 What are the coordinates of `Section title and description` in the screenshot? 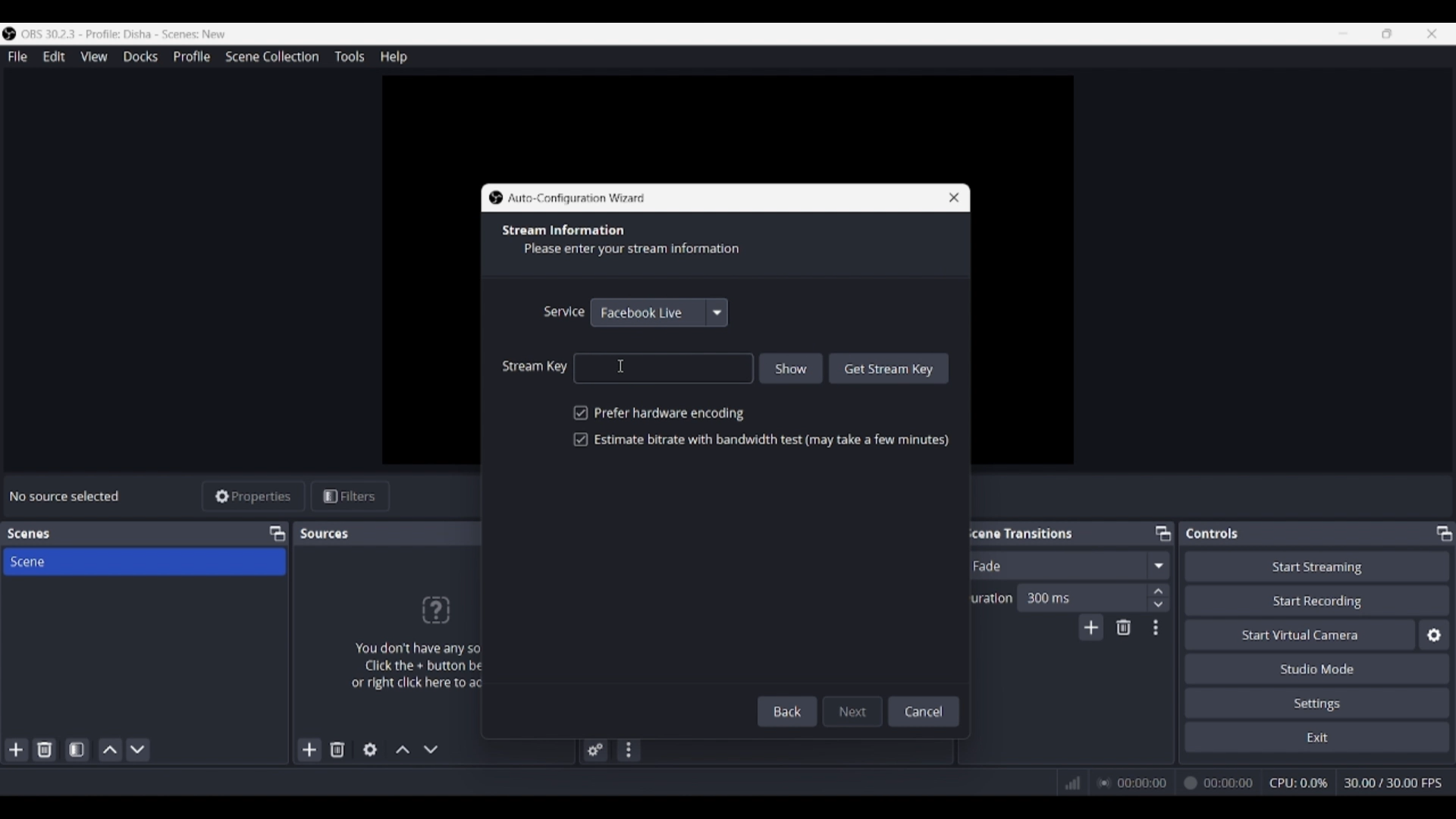 It's located at (628, 241).